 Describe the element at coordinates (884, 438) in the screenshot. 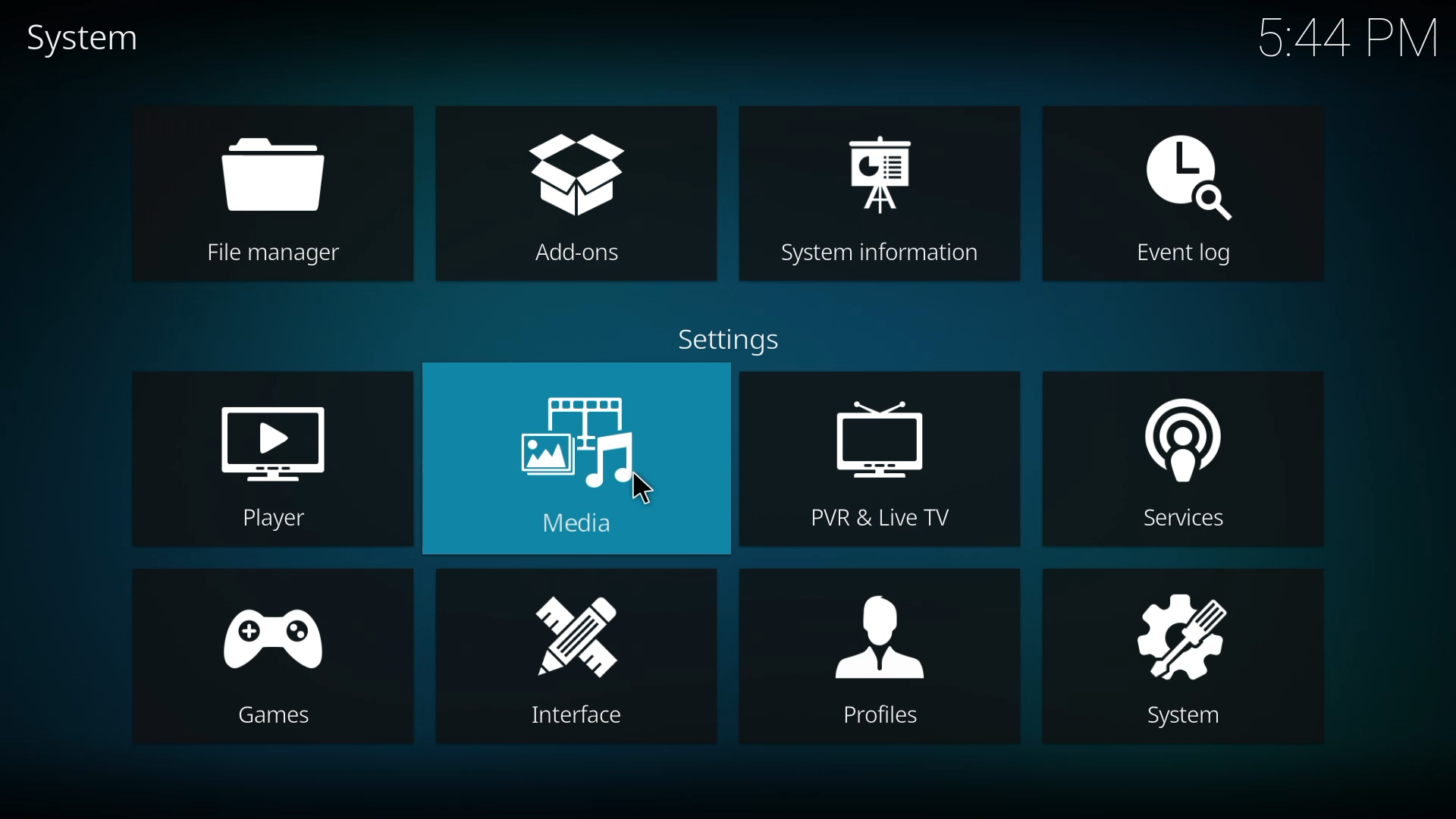

I see `pvr & live tv` at that location.